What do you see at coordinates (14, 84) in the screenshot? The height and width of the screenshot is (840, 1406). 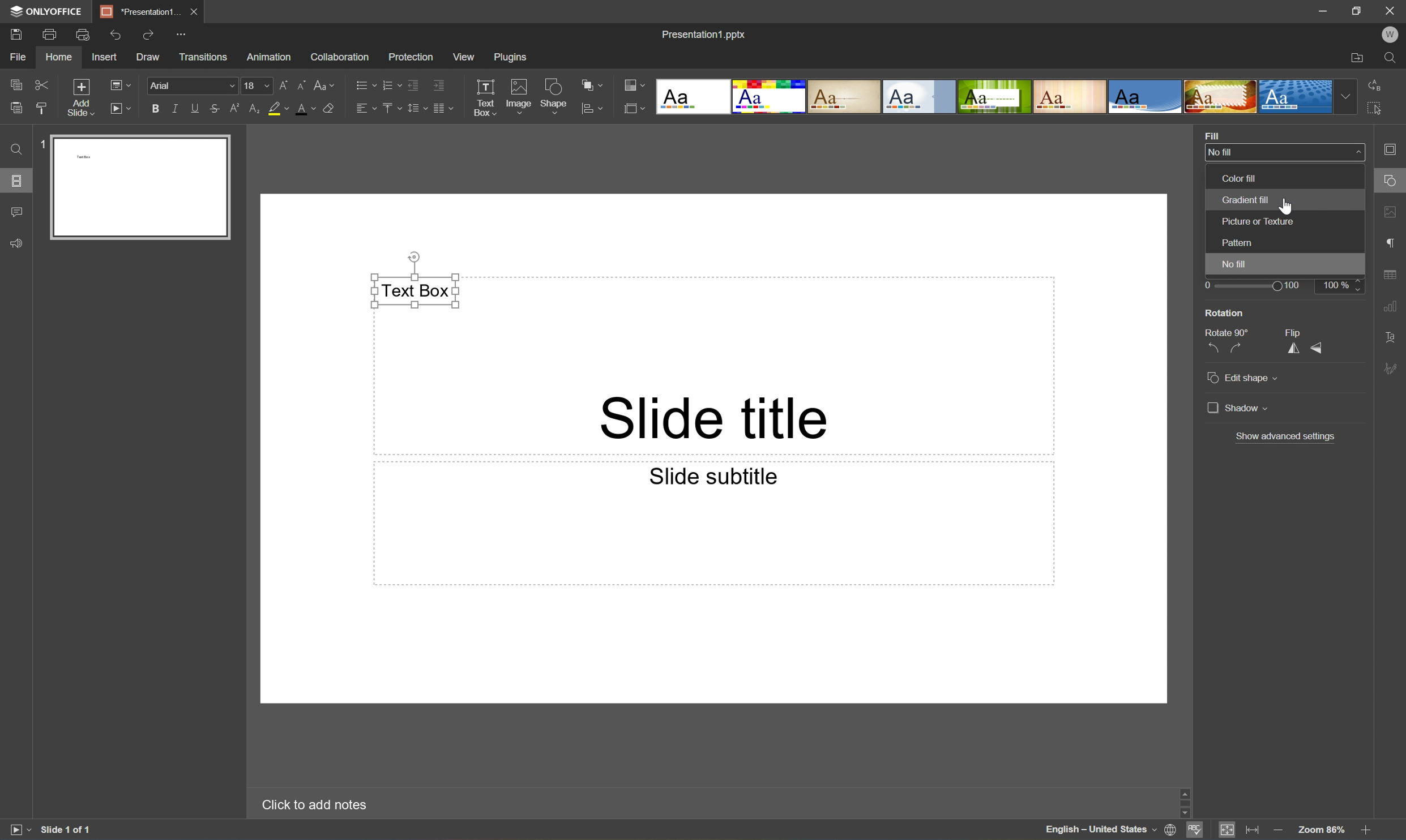 I see `Copy` at bounding box center [14, 84].